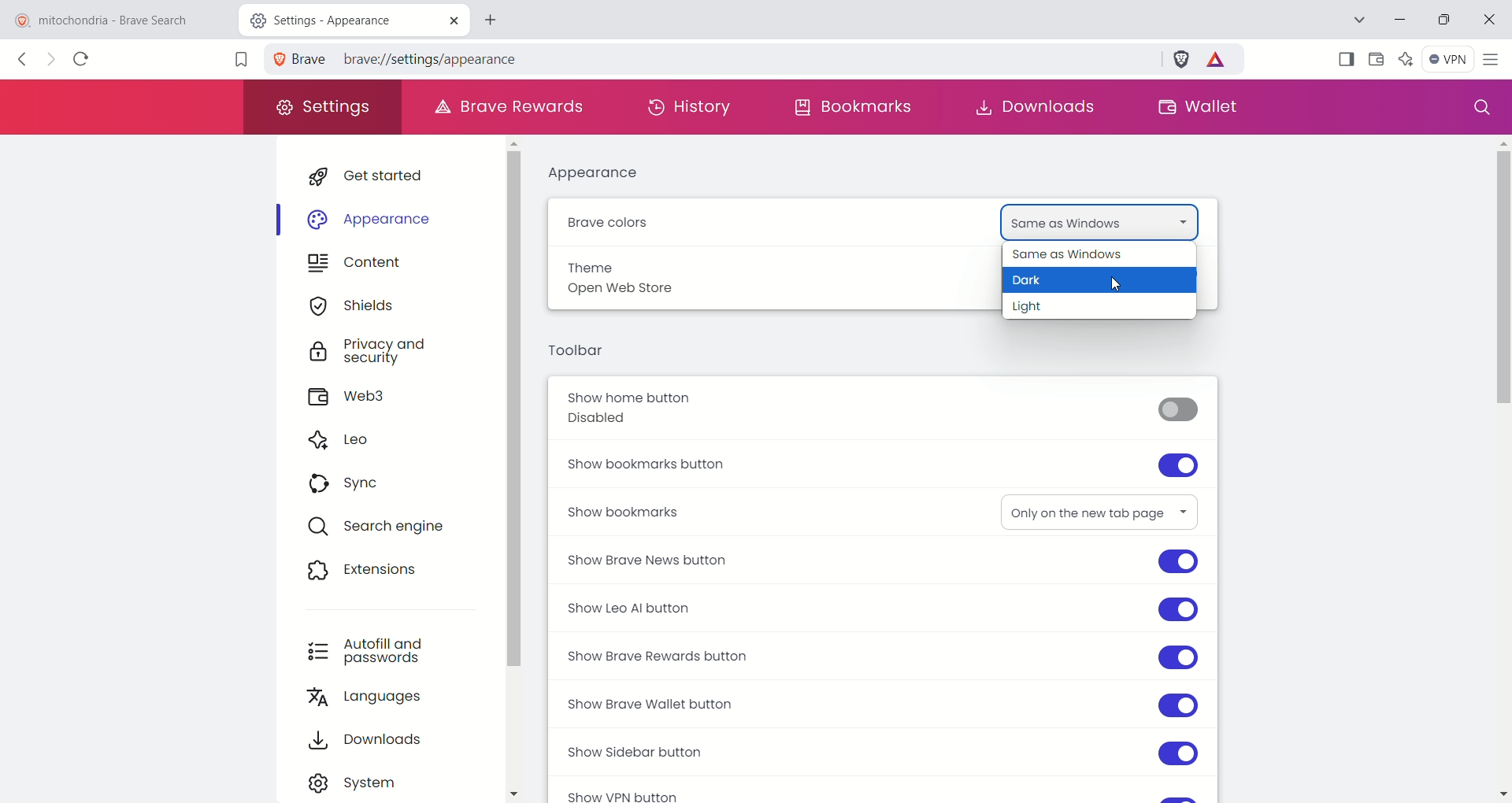 This screenshot has height=803, width=1512. Describe the element at coordinates (369, 570) in the screenshot. I see `extensions` at that location.